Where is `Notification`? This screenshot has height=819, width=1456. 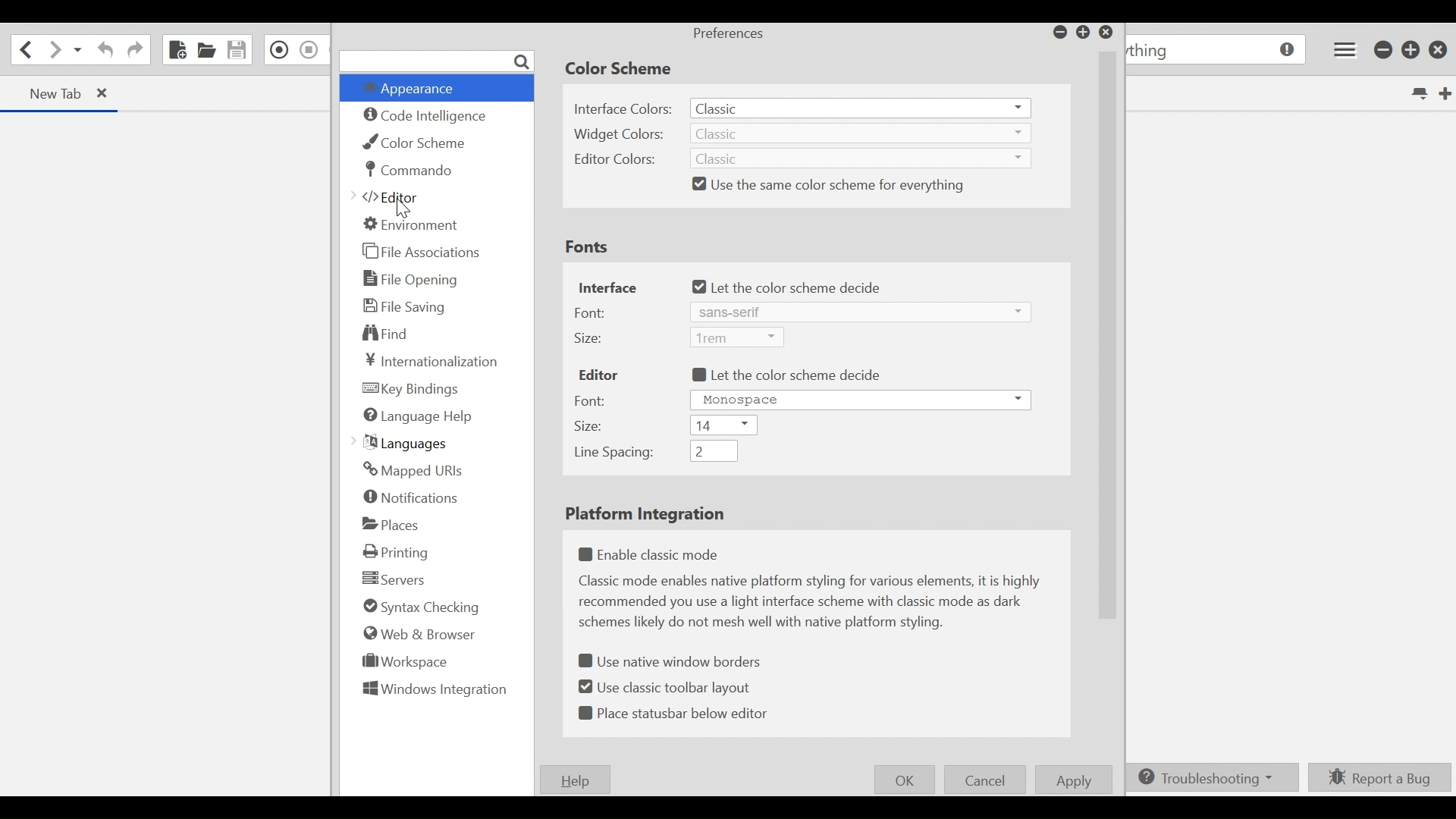
Notification is located at coordinates (408, 496).